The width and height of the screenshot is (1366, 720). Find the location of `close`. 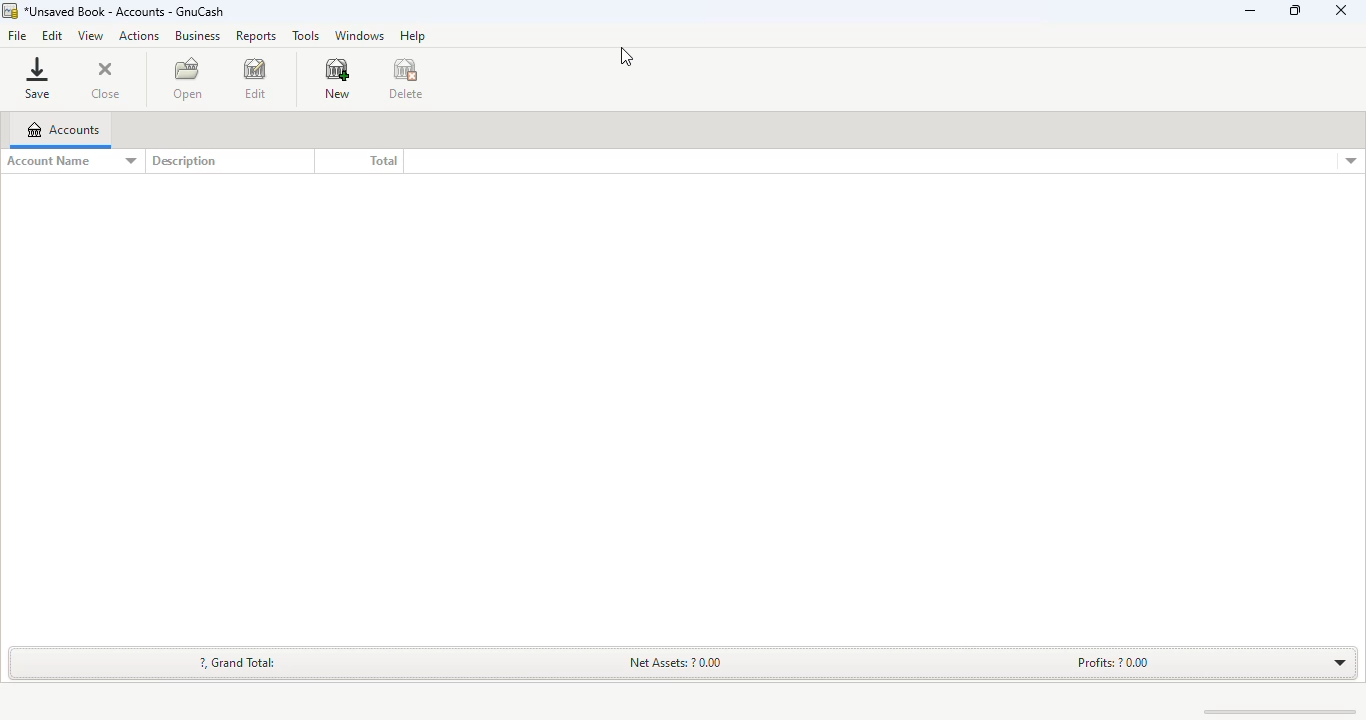

close is located at coordinates (1341, 11).